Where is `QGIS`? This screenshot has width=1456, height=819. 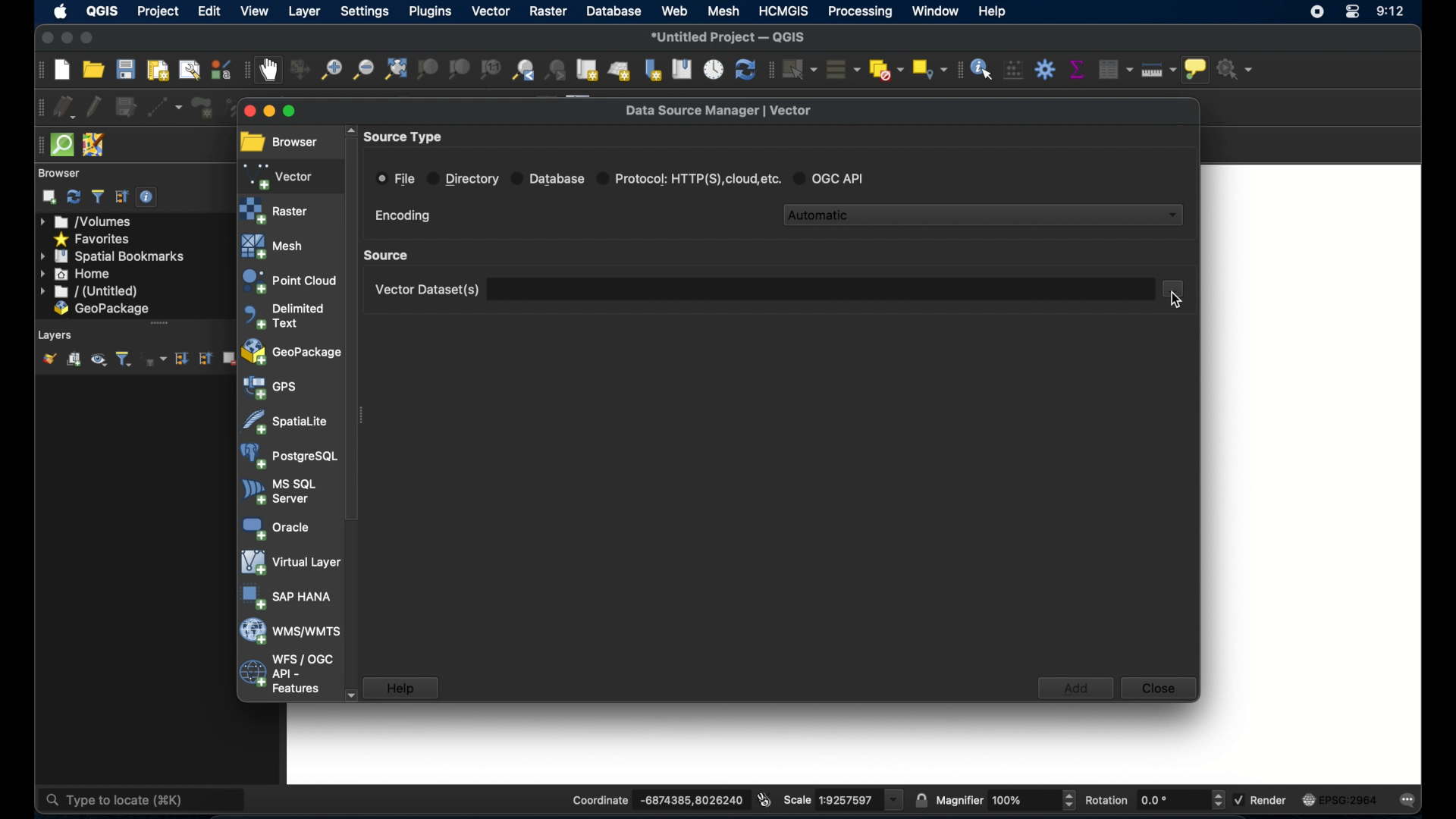
QGIS is located at coordinates (103, 11).